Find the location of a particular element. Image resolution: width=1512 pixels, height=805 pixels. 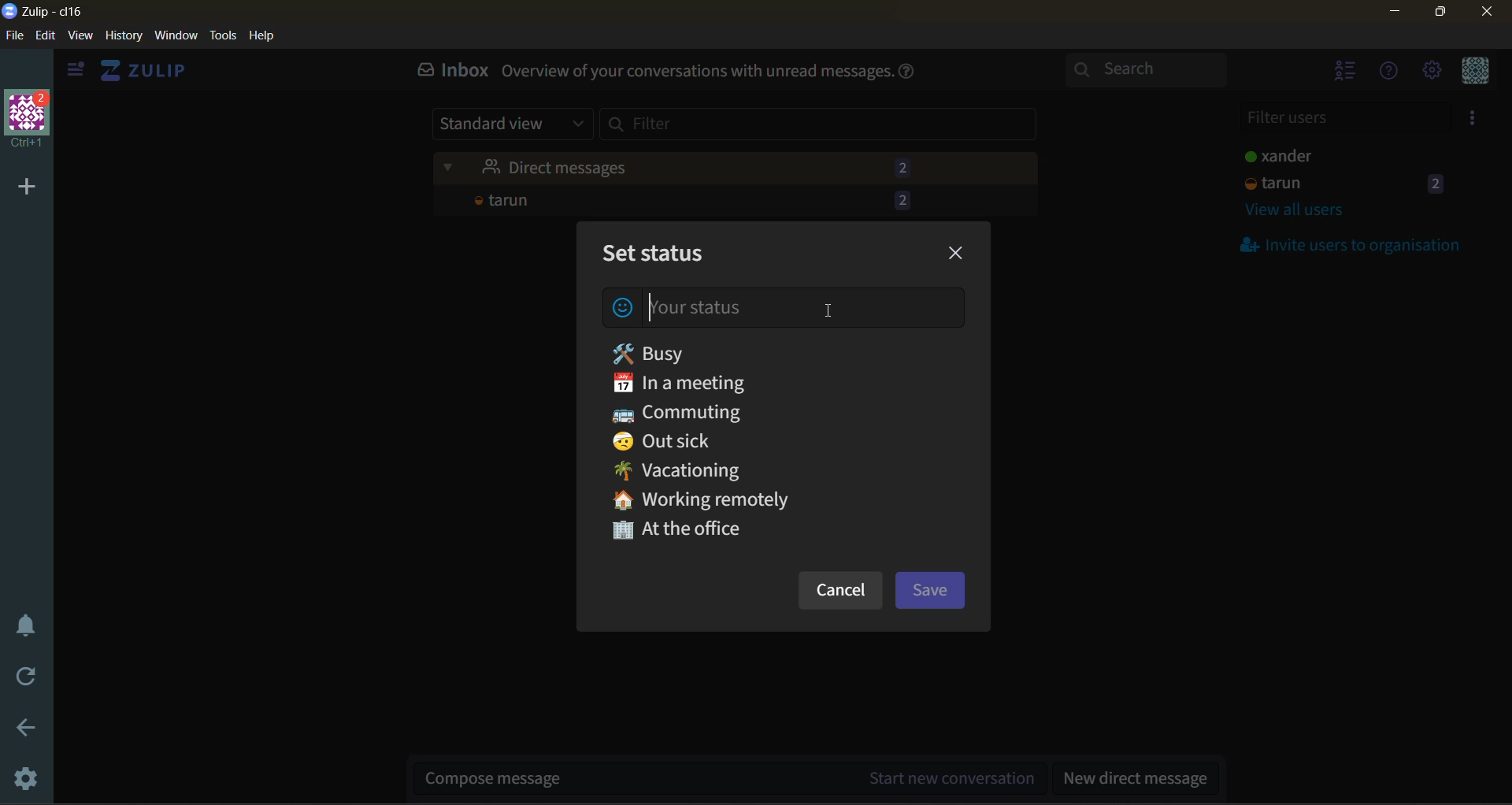

maximize is located at coordinates (1440, 14).